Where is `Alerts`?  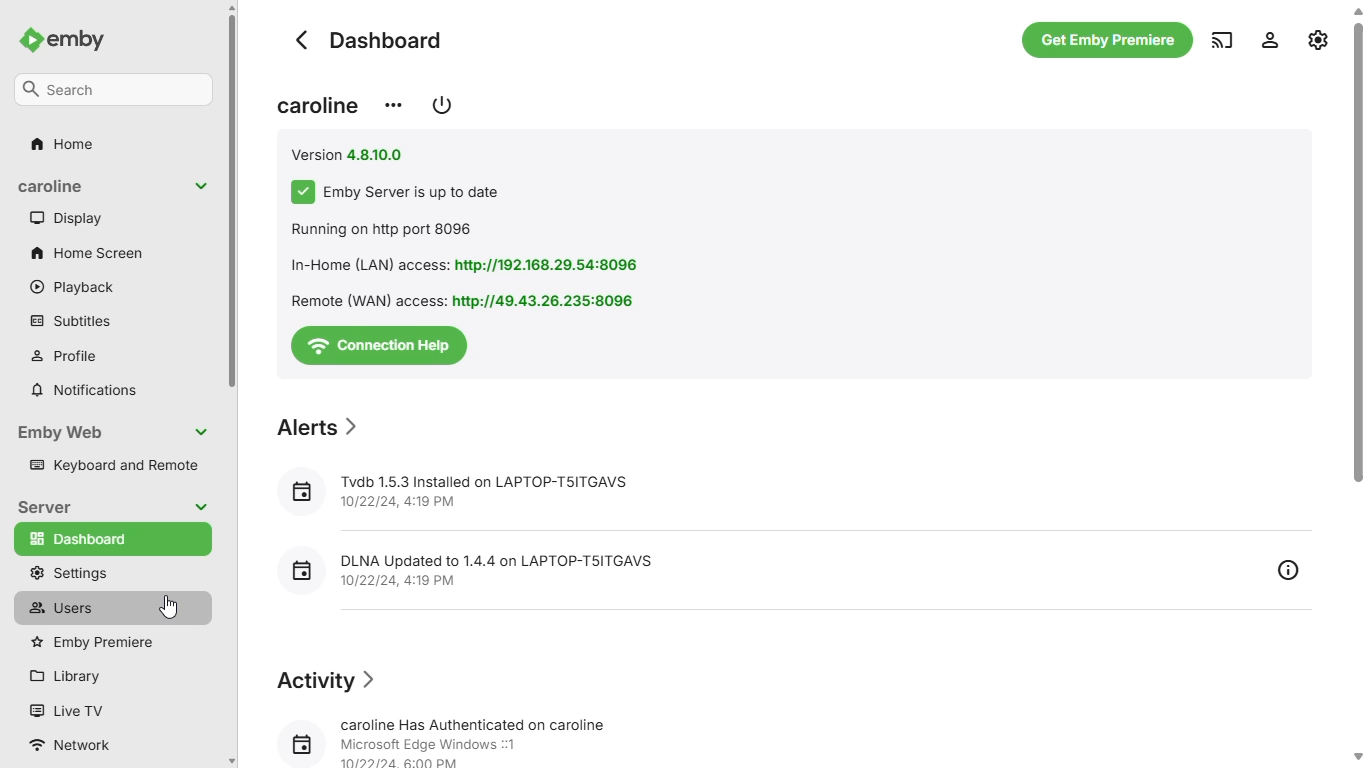 Alerts is located at coordinates (319, 427).